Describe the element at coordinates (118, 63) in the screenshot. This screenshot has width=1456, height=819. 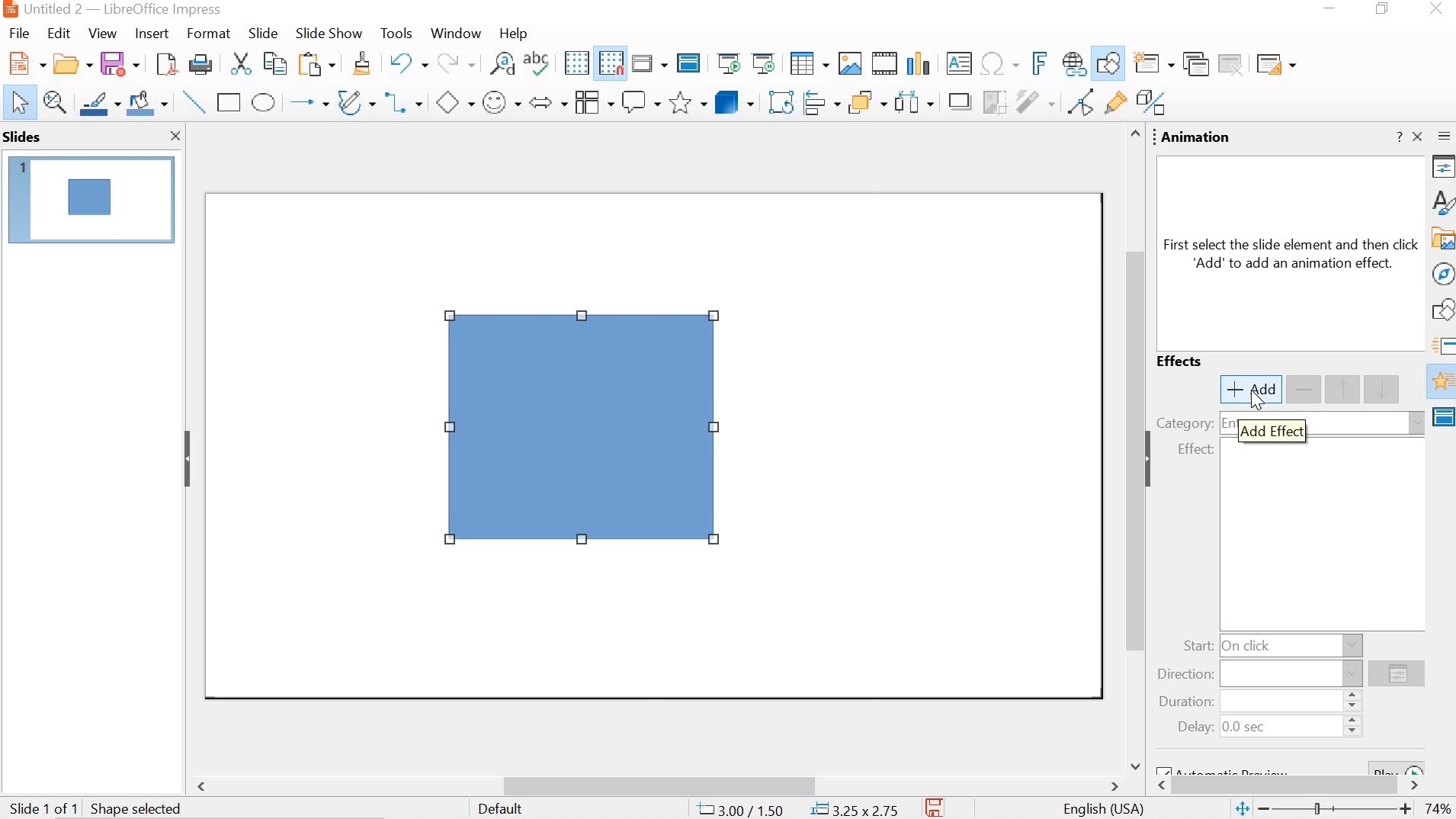
I see `save` at that location.